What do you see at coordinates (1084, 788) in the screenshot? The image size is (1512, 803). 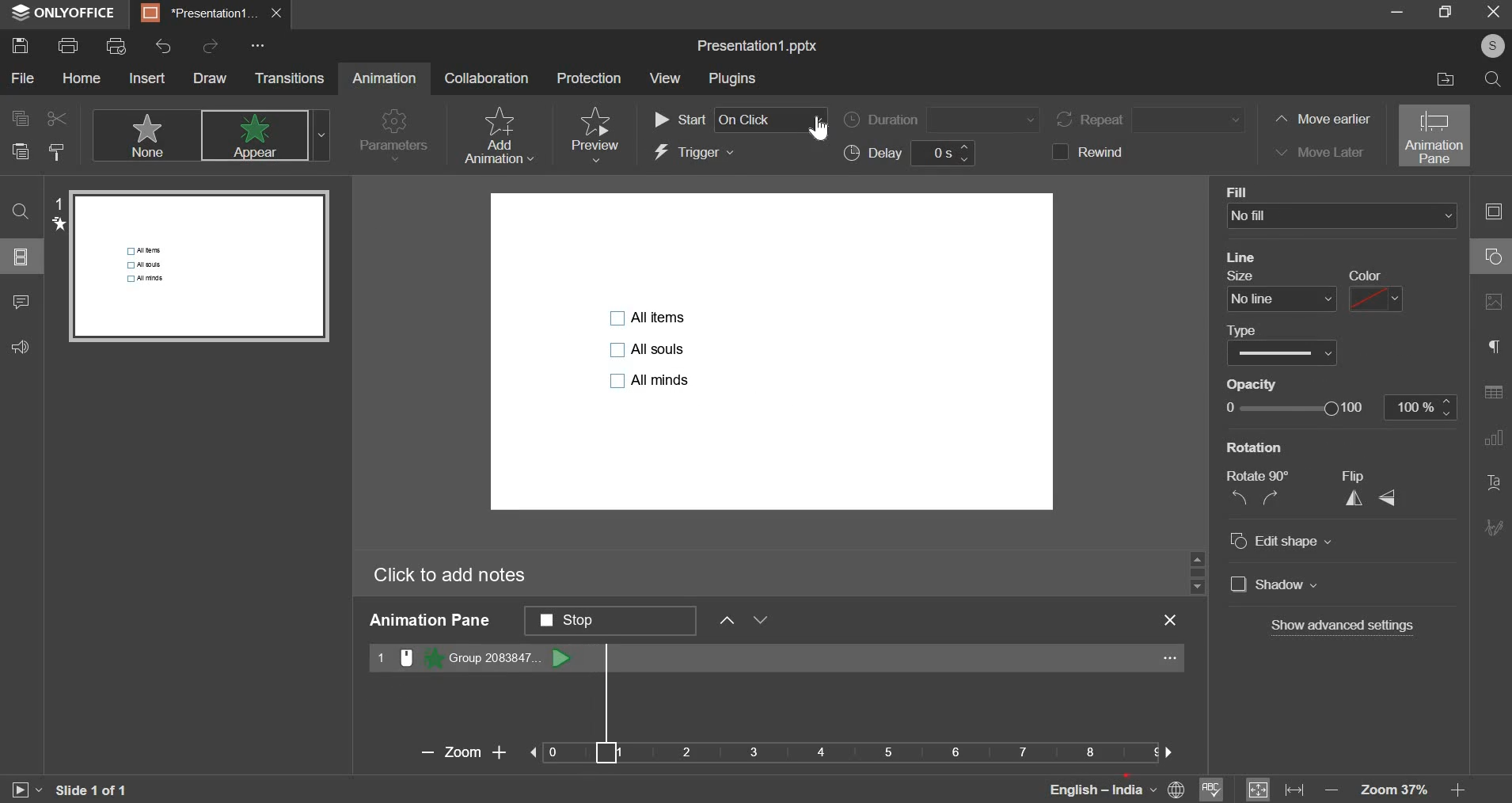 I see `language` at bounding box center [1084, 788].